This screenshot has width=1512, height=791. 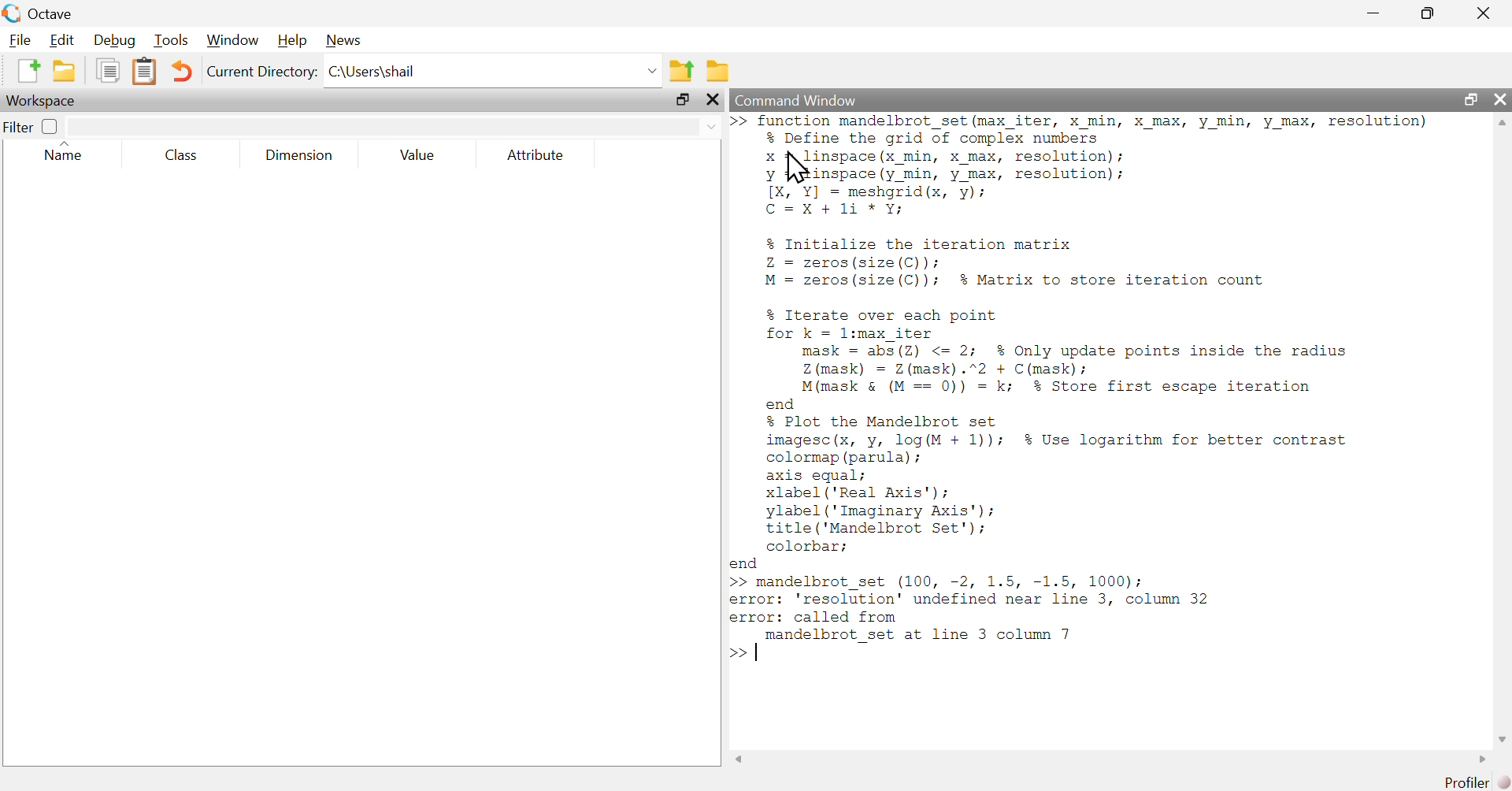 I want to click on open an existing file in editor, so click(x=64, y=72).